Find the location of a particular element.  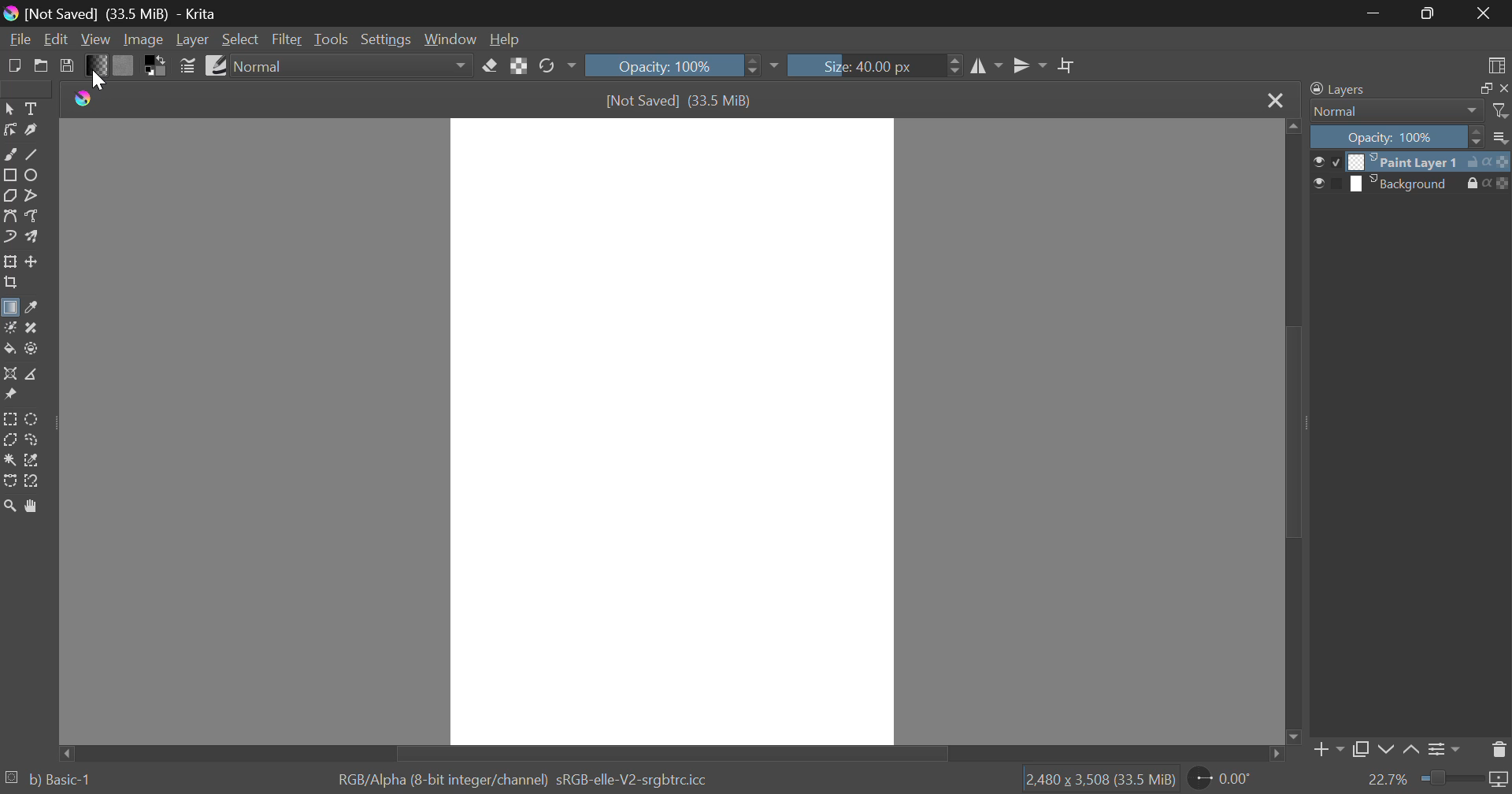

preview is located at coordinates (1328, 161).